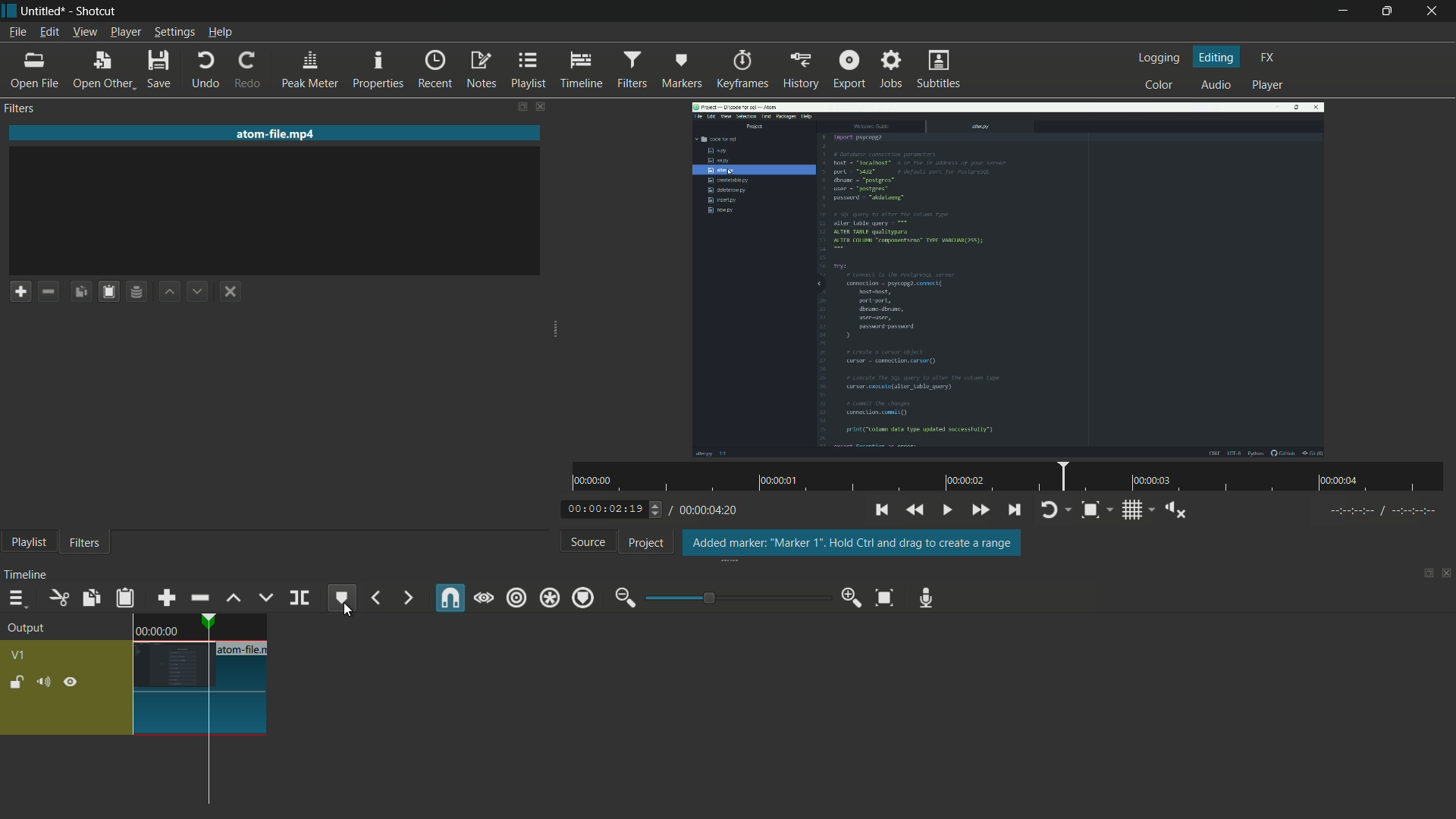  Describe the element at coordinates (849, 70) in the screenshot. I see `export` at that location.